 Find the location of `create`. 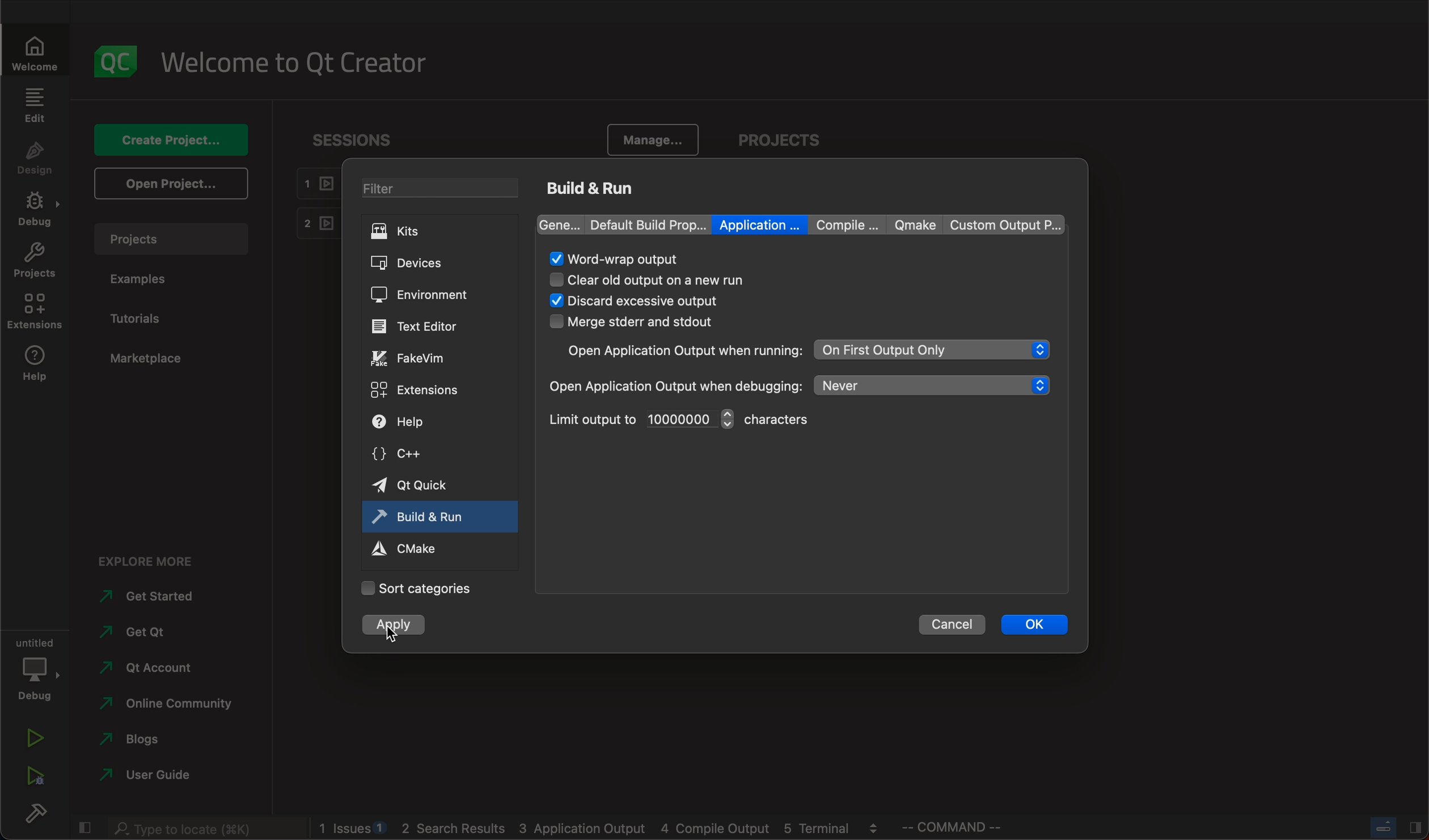

create is located at coordinates (166, 139).